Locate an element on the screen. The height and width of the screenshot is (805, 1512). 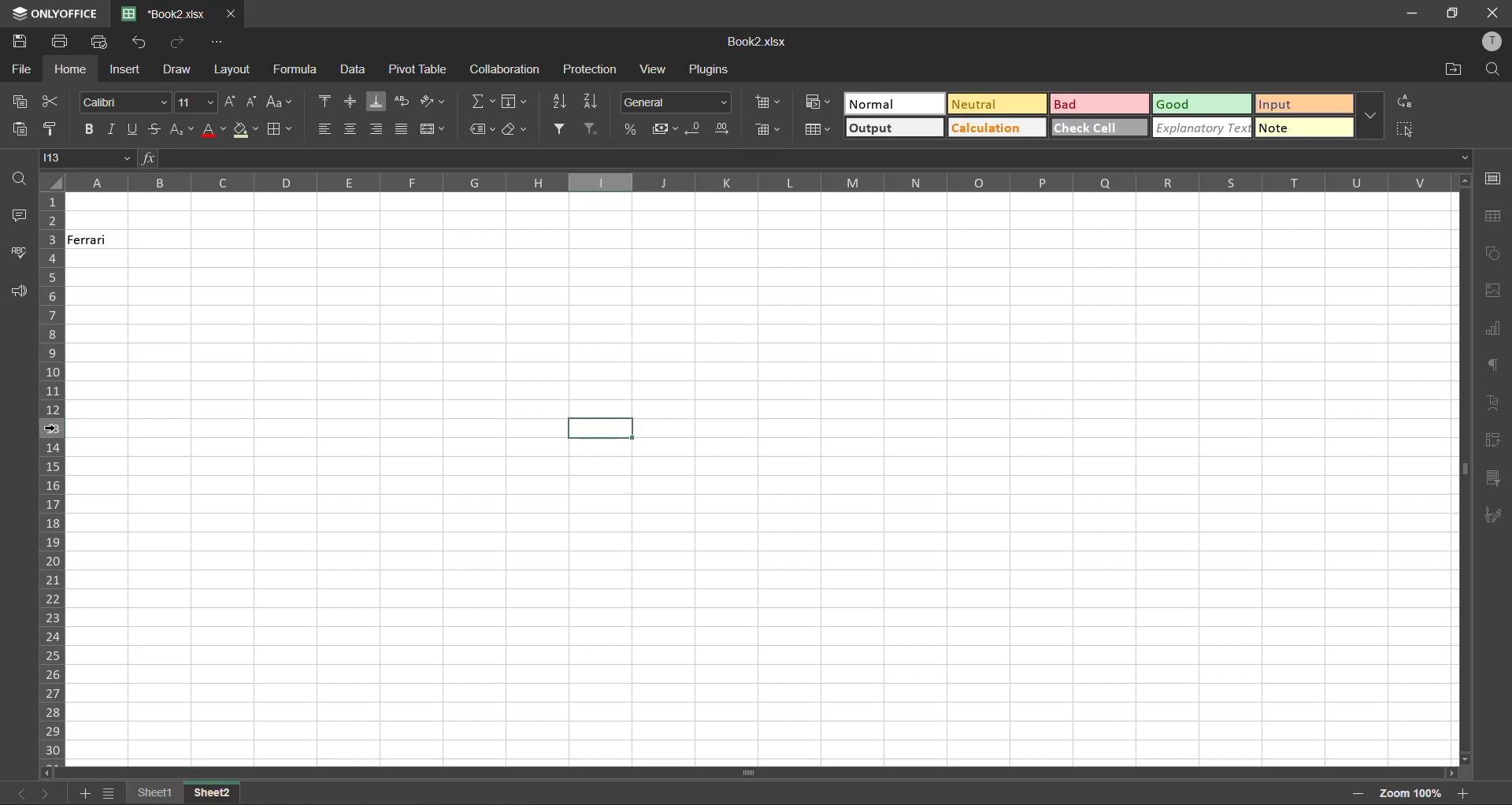
align center is located at coordinates (354, 129).